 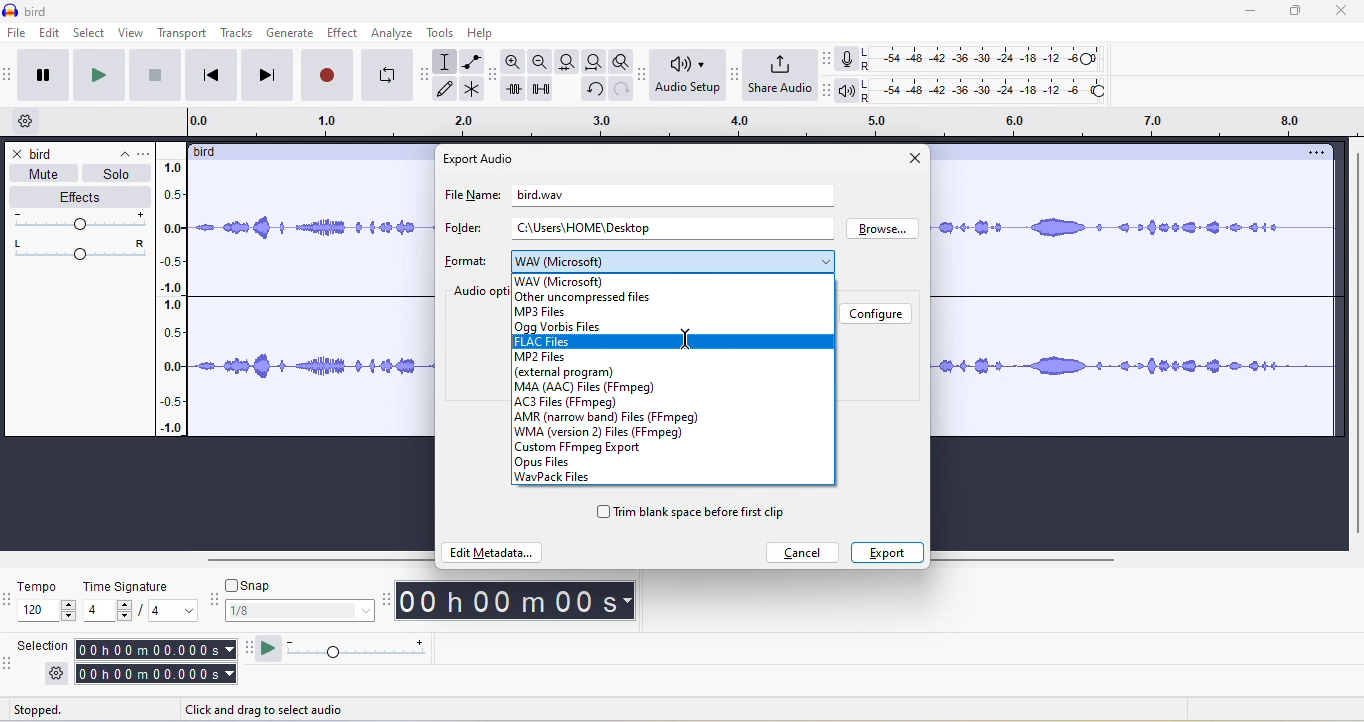 What do you see at coordinates (9, 75) in the screenshot?
I see `audacity transport toolbar` at bounding box center [9, 75].